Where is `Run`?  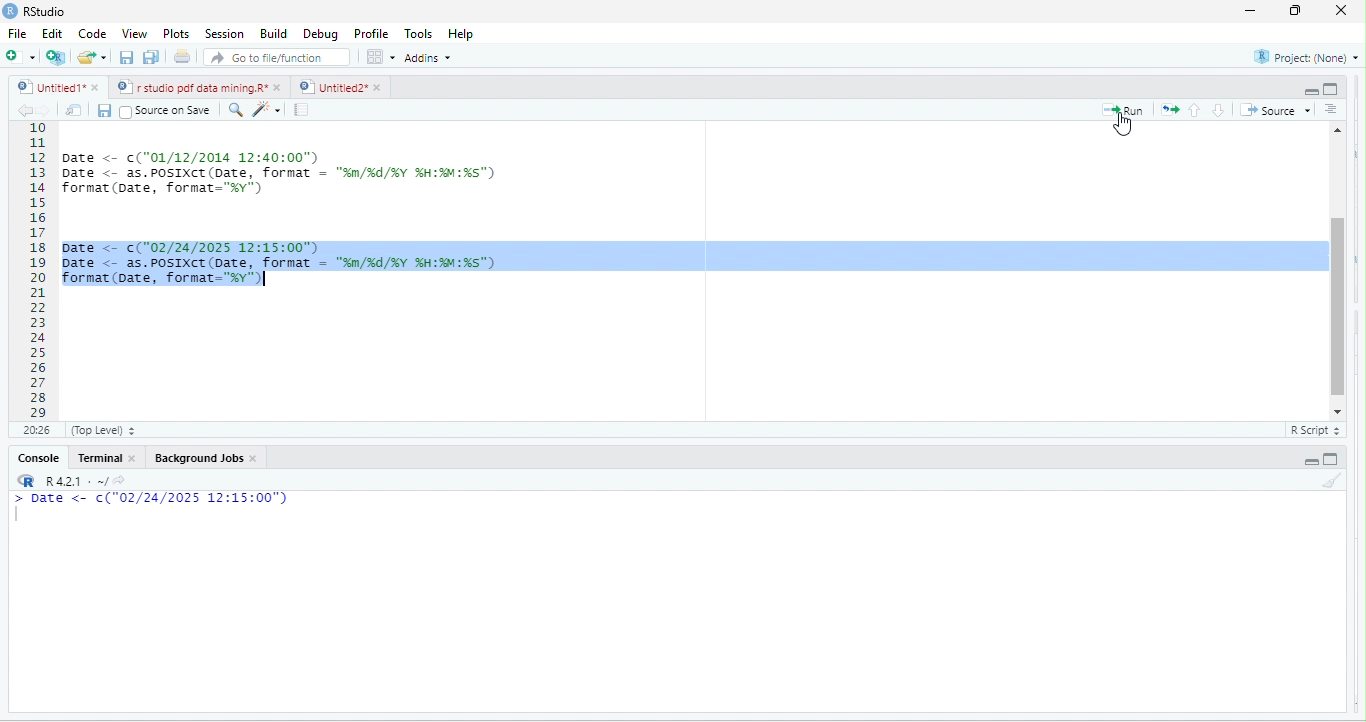
Run is located at coordinates (1127, 111).